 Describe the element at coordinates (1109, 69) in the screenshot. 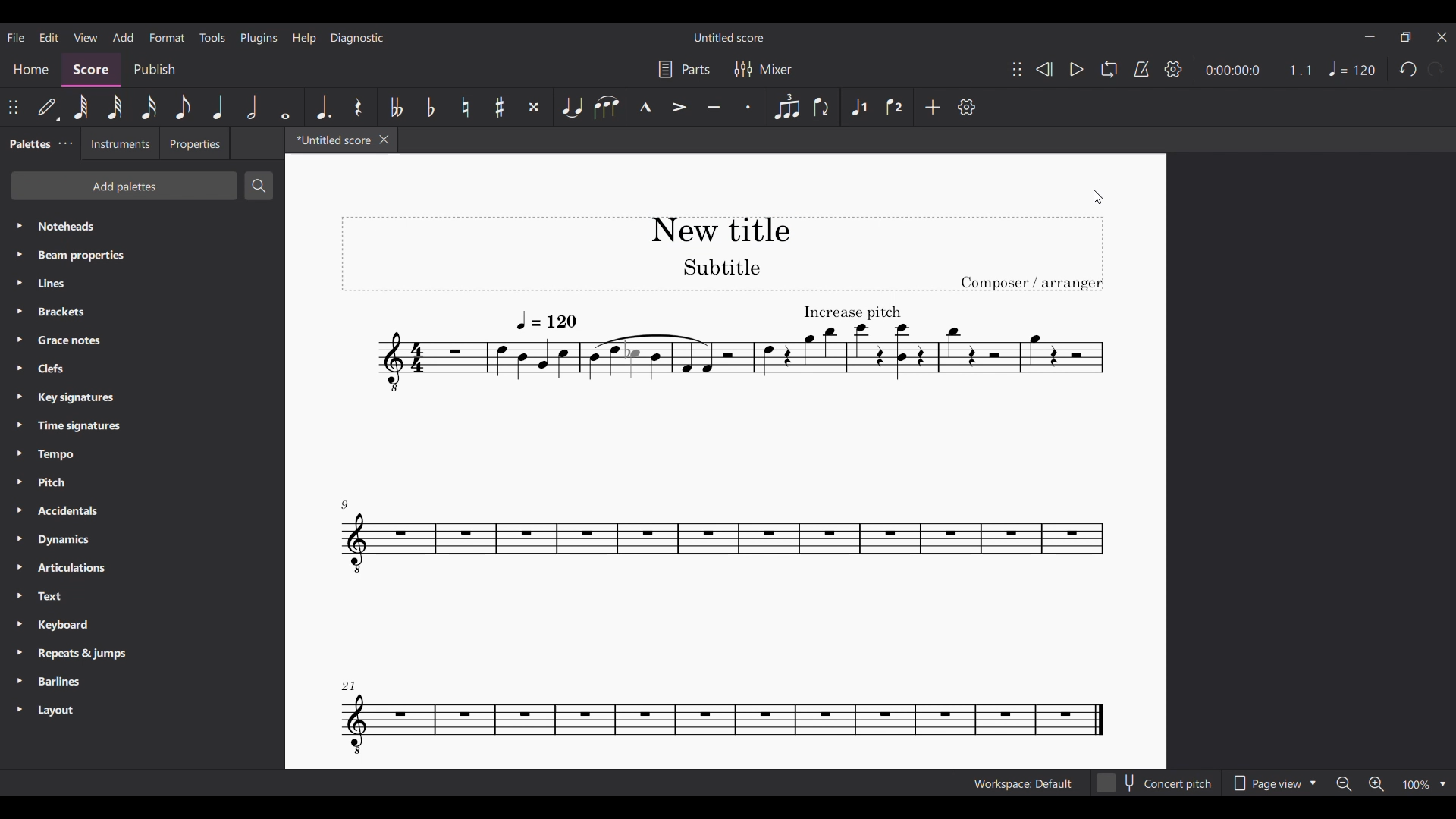

I see `Loop playback` at that location.